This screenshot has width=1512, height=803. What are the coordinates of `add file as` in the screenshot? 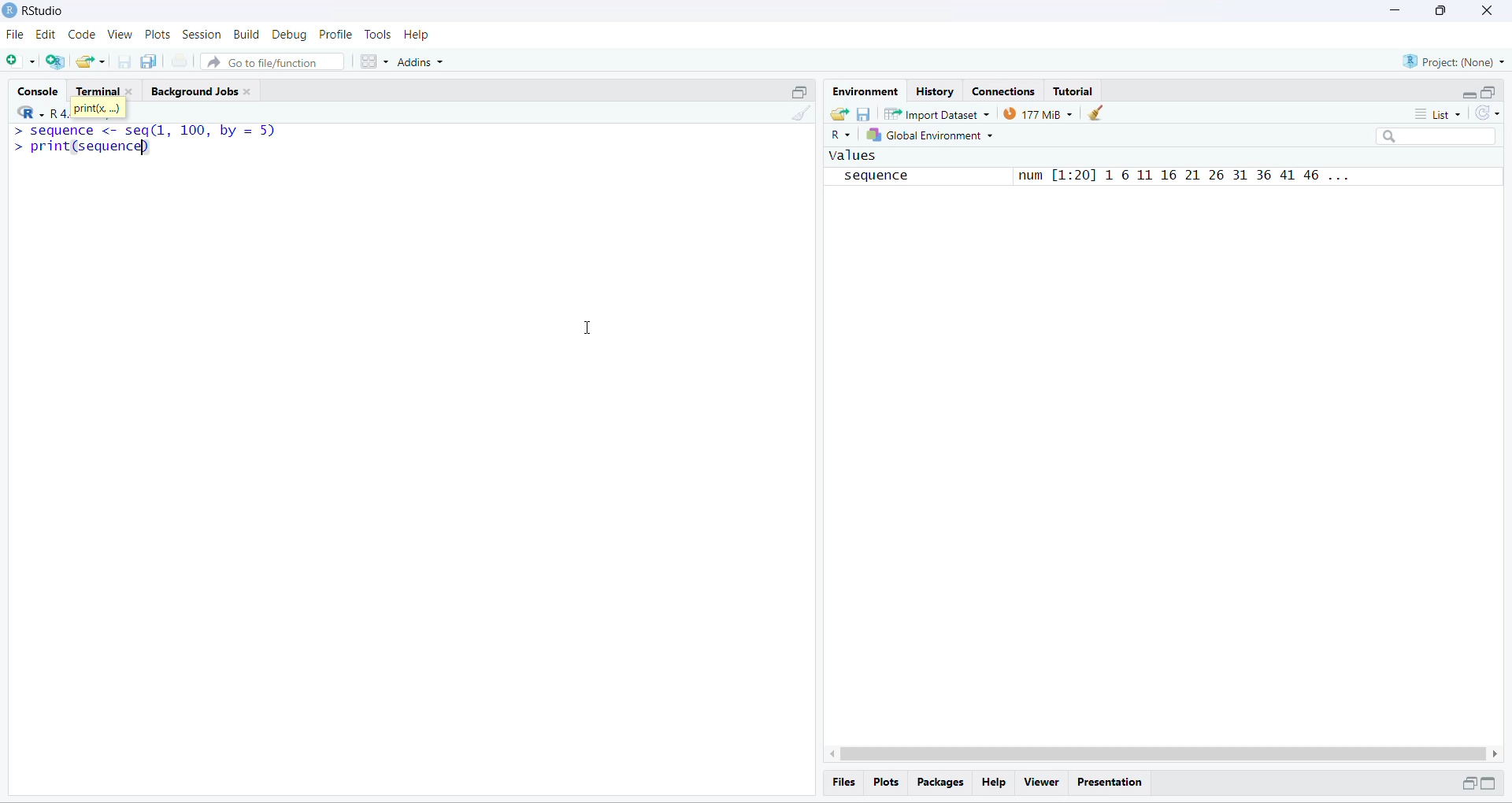 It's located at (22, 61).